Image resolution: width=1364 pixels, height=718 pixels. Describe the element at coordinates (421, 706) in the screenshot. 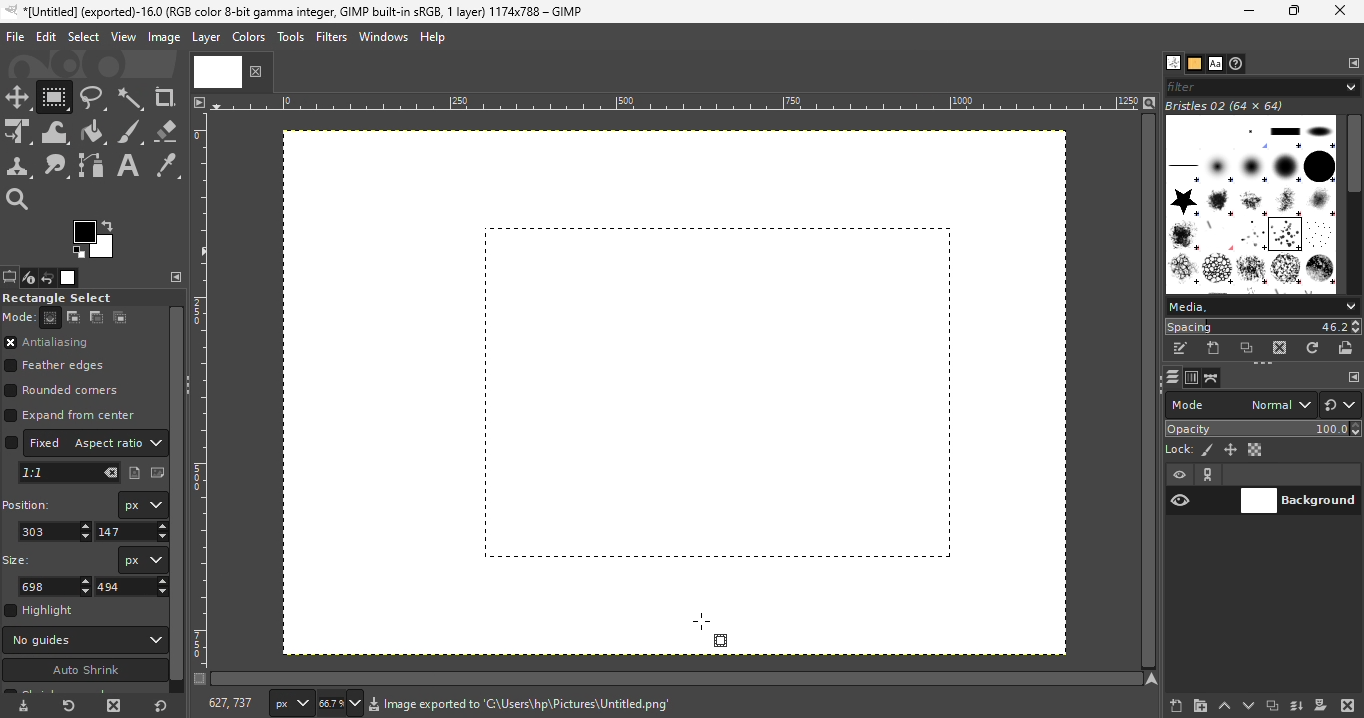

I see `Image exported to` at that location.